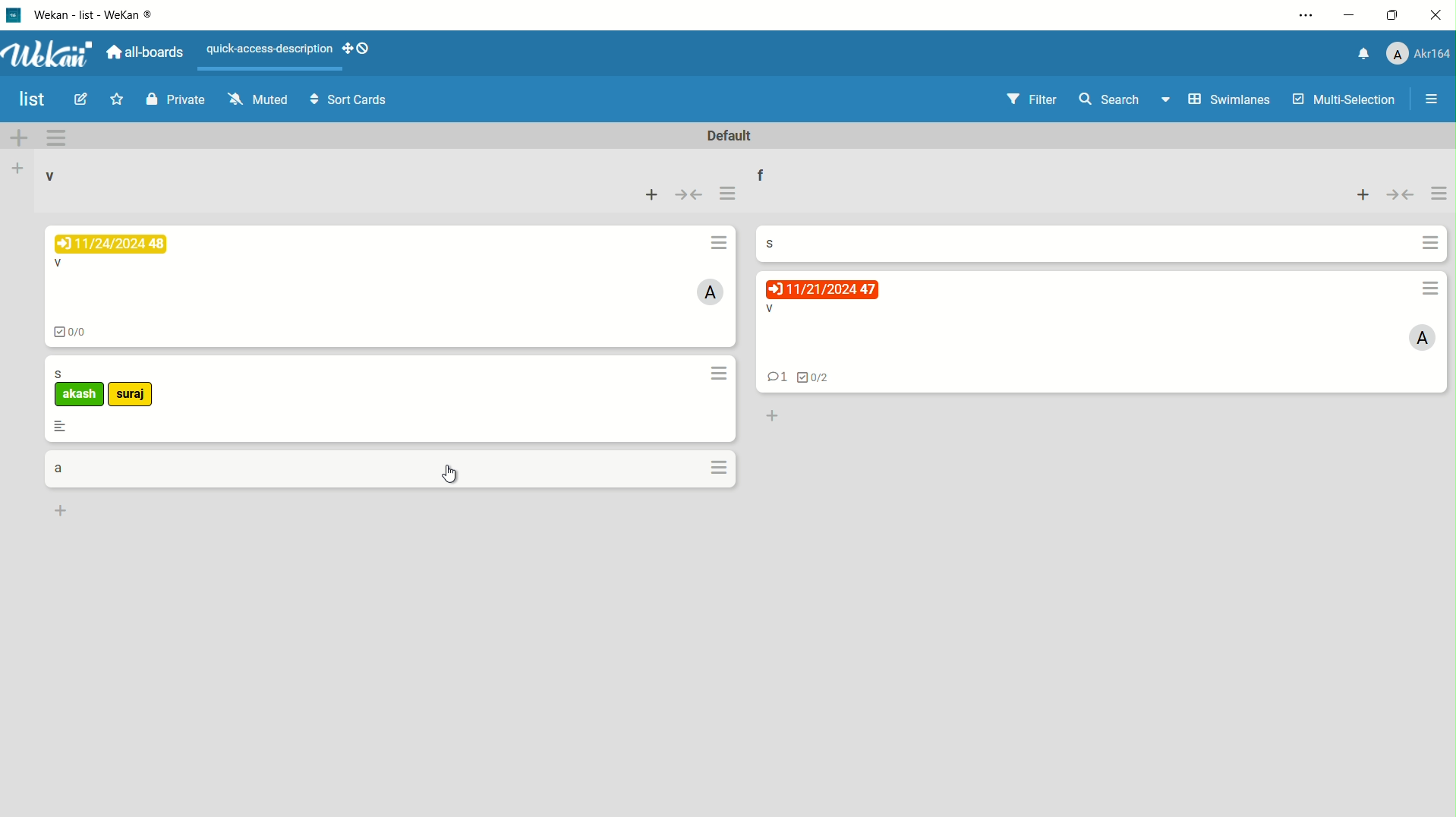 Image resolution: width=1456 pixels, height=817 pixels. What do you see at coordinates (689, 195) in the screenshot?
I see `collapse` at bounding box center [689, 195].